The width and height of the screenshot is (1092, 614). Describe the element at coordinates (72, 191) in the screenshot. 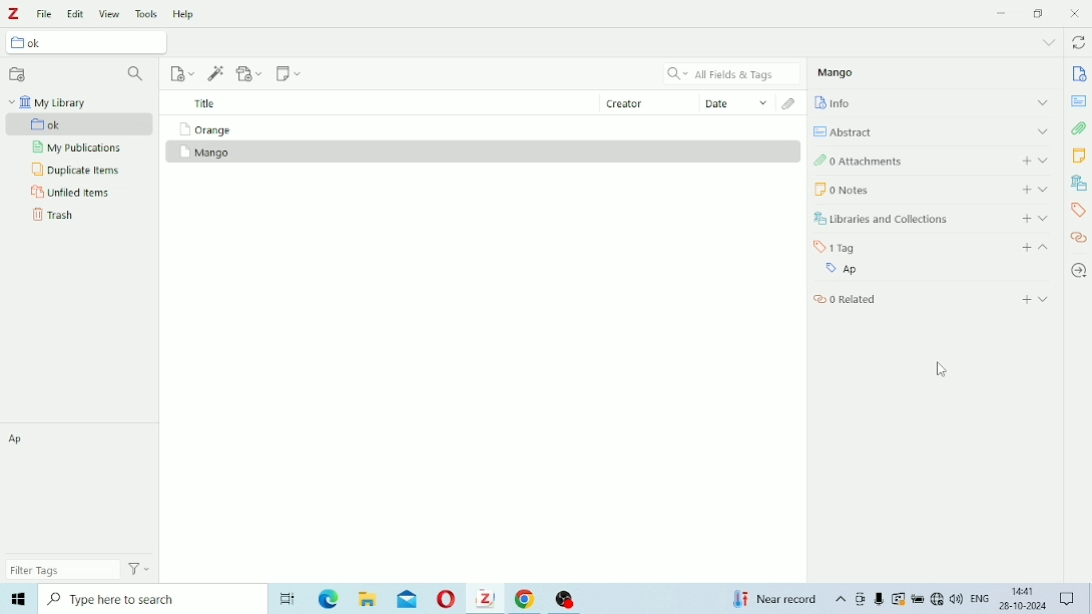

I see `Unfiled Items` at that location.